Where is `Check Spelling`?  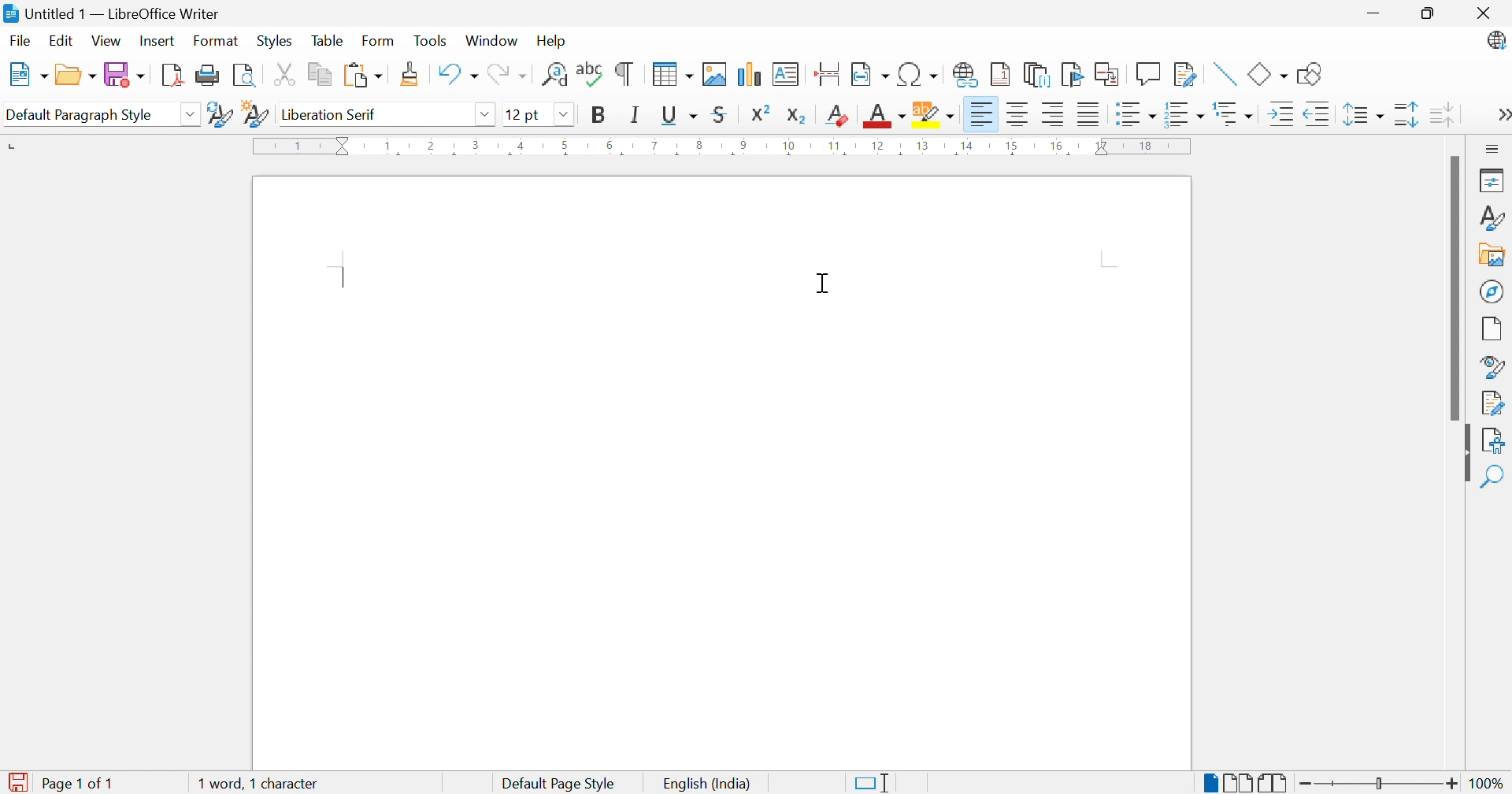
Check Spelling is located at coordinates (588, 76).